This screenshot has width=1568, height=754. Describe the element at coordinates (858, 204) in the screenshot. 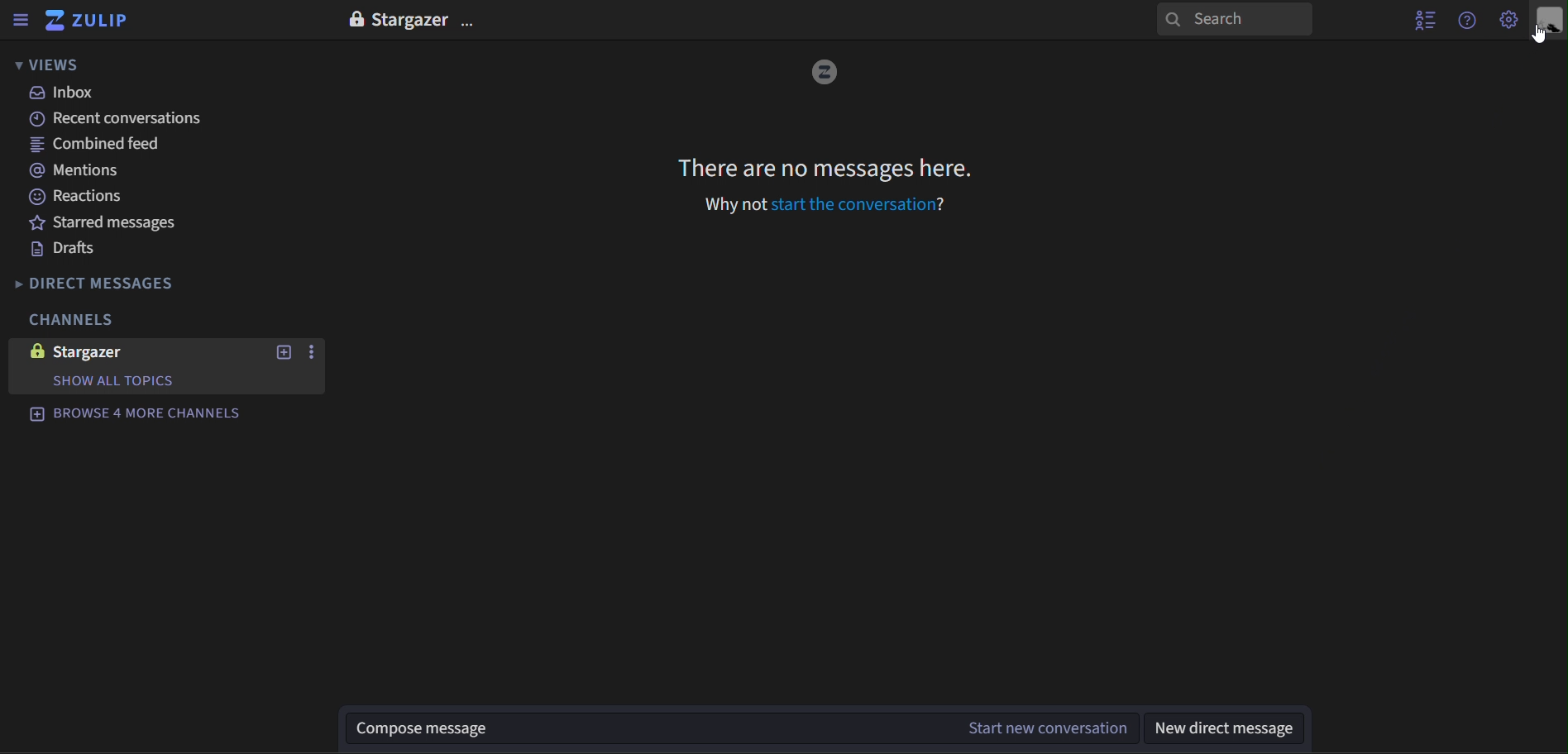

I see `Start the conversation` at that location.